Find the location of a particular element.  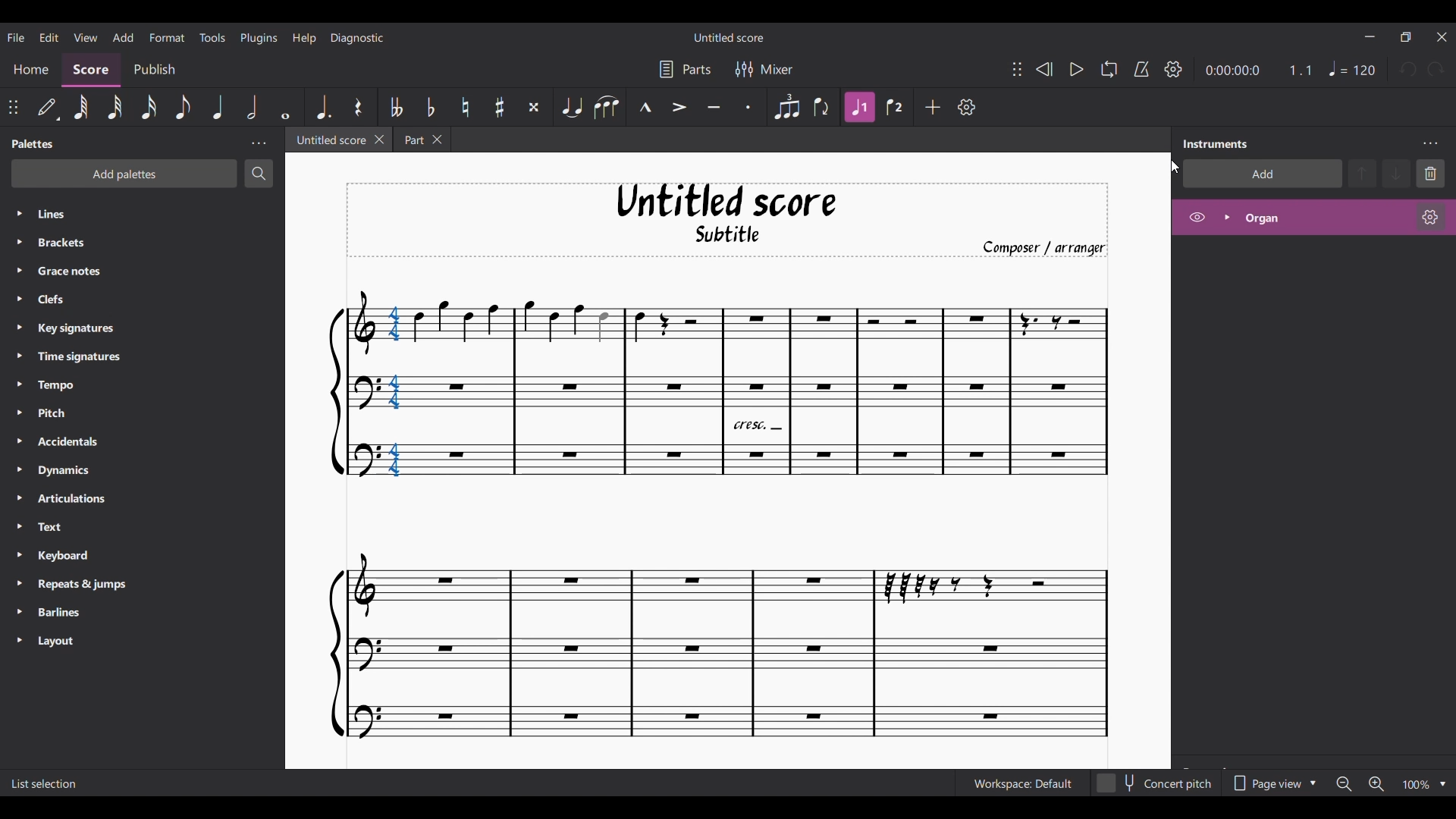

16th note is located at coordinates (149, 108).